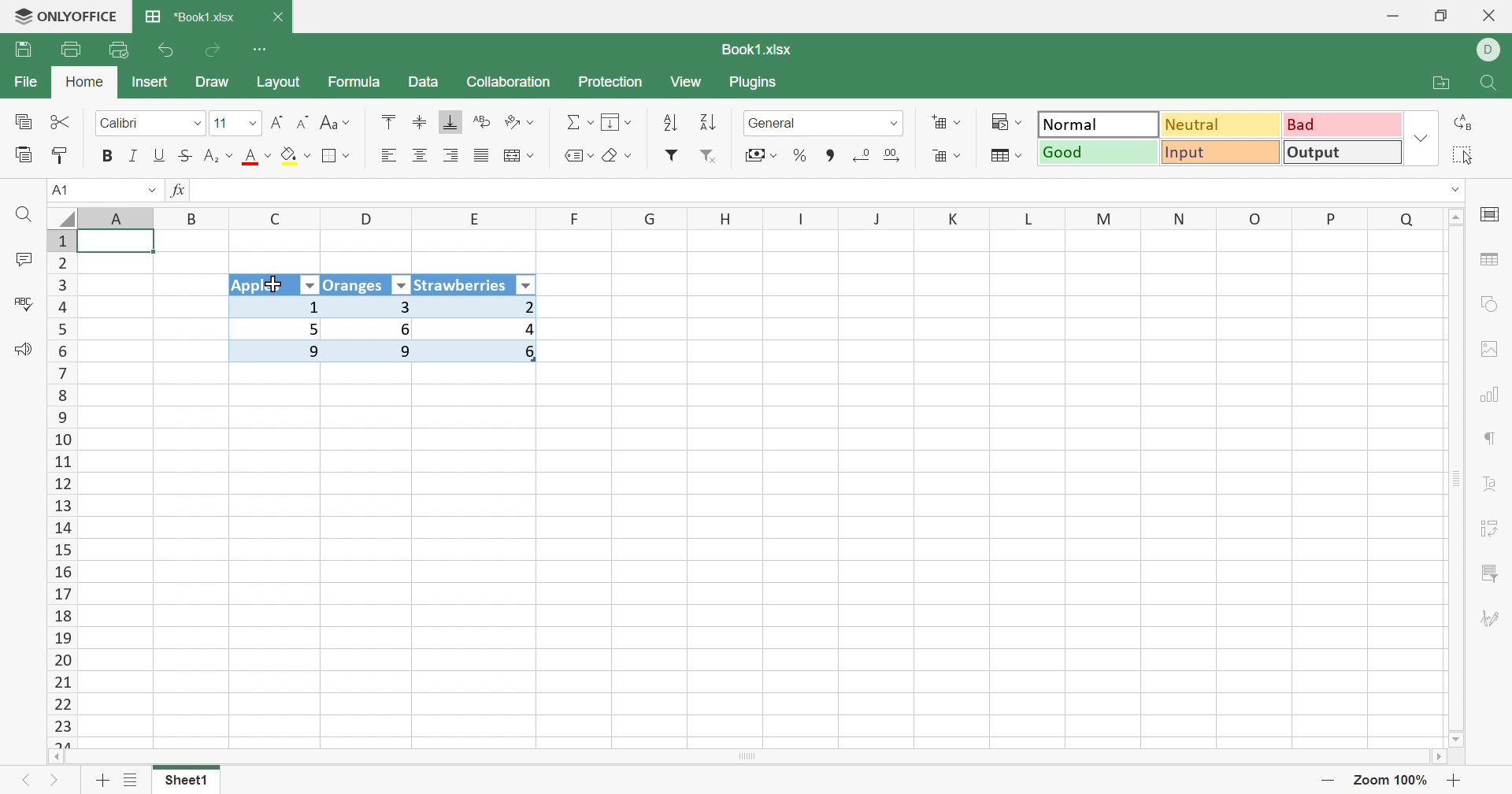  I want to click on F, so click(576, 218).